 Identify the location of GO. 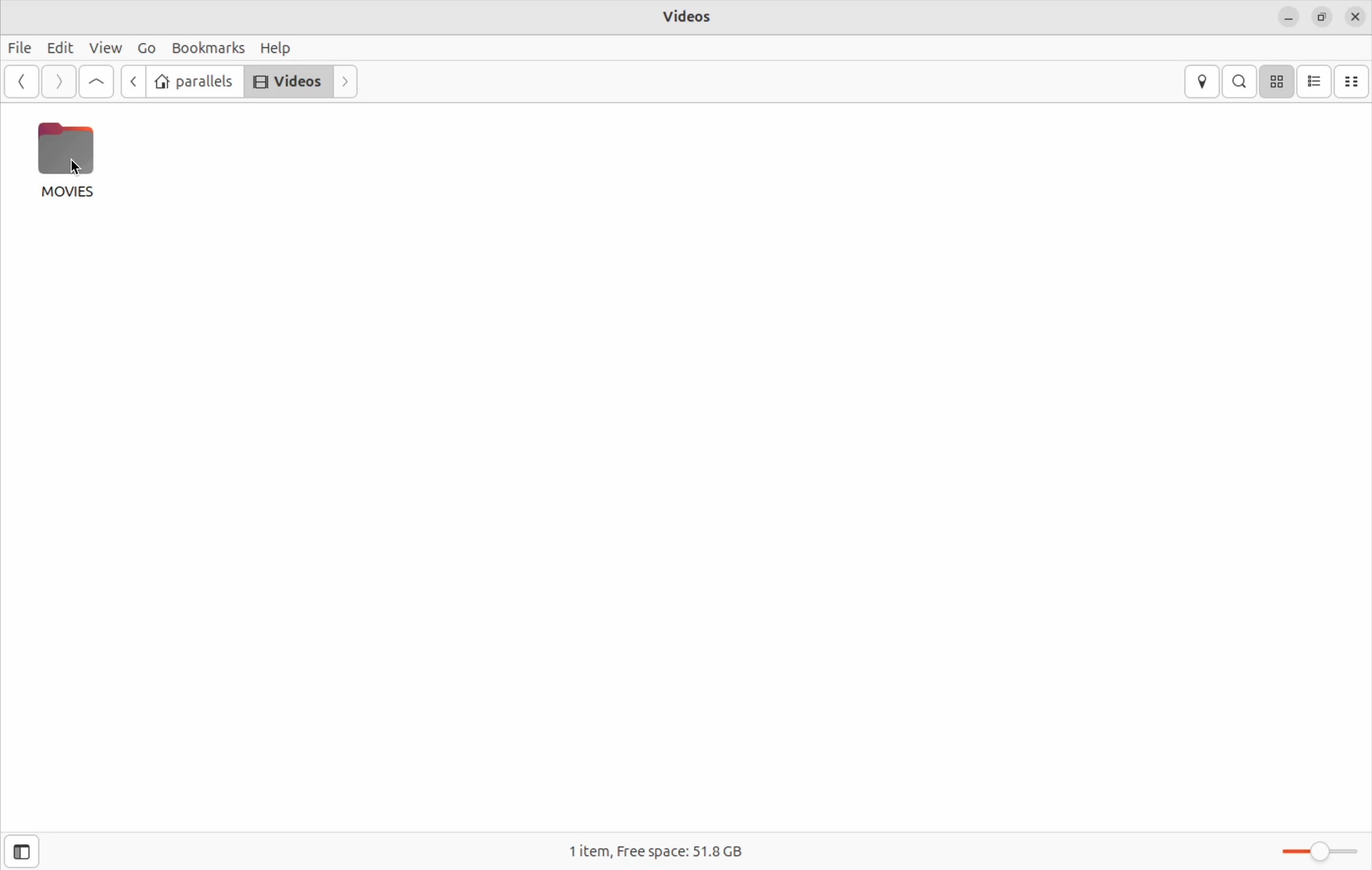
(145, 48).